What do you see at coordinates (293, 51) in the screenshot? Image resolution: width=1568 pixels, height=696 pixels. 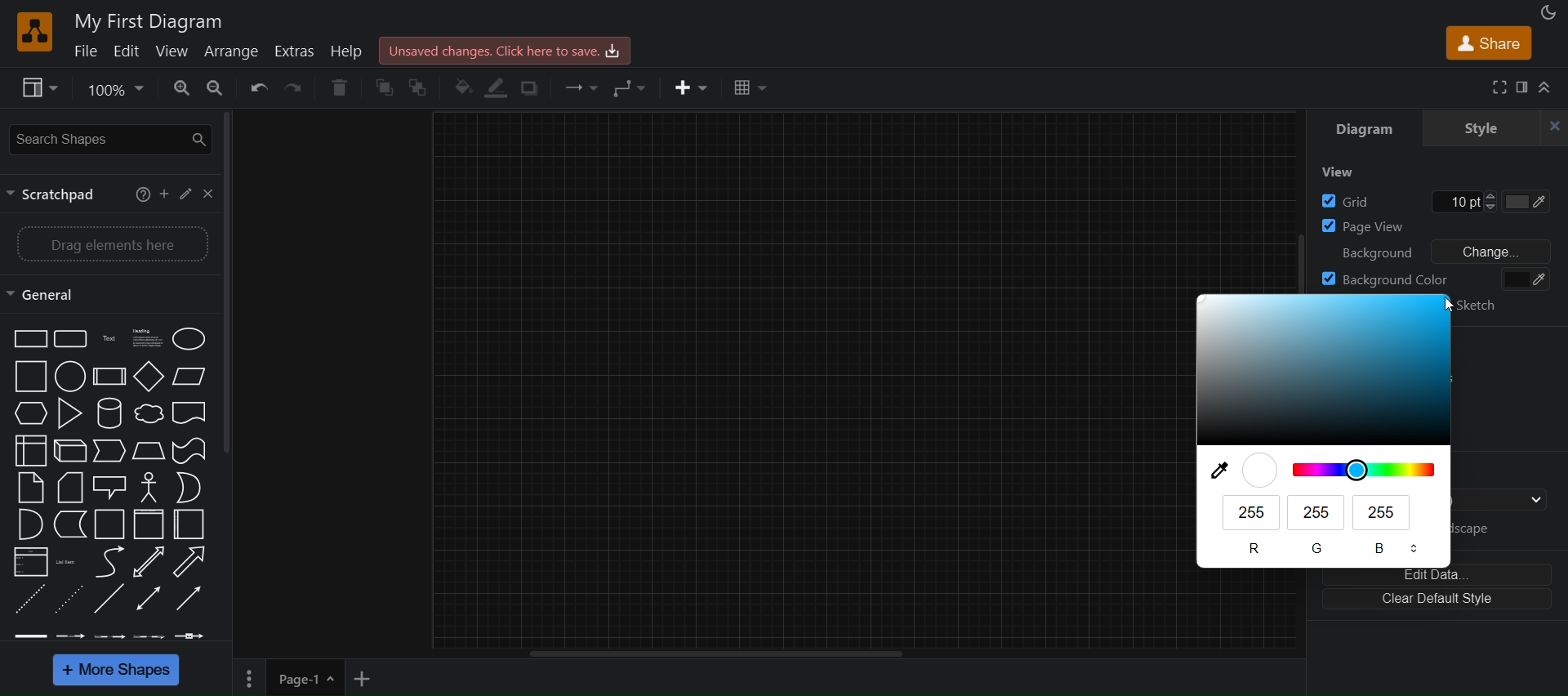 I see `extras` at bounding box center [293, 51].